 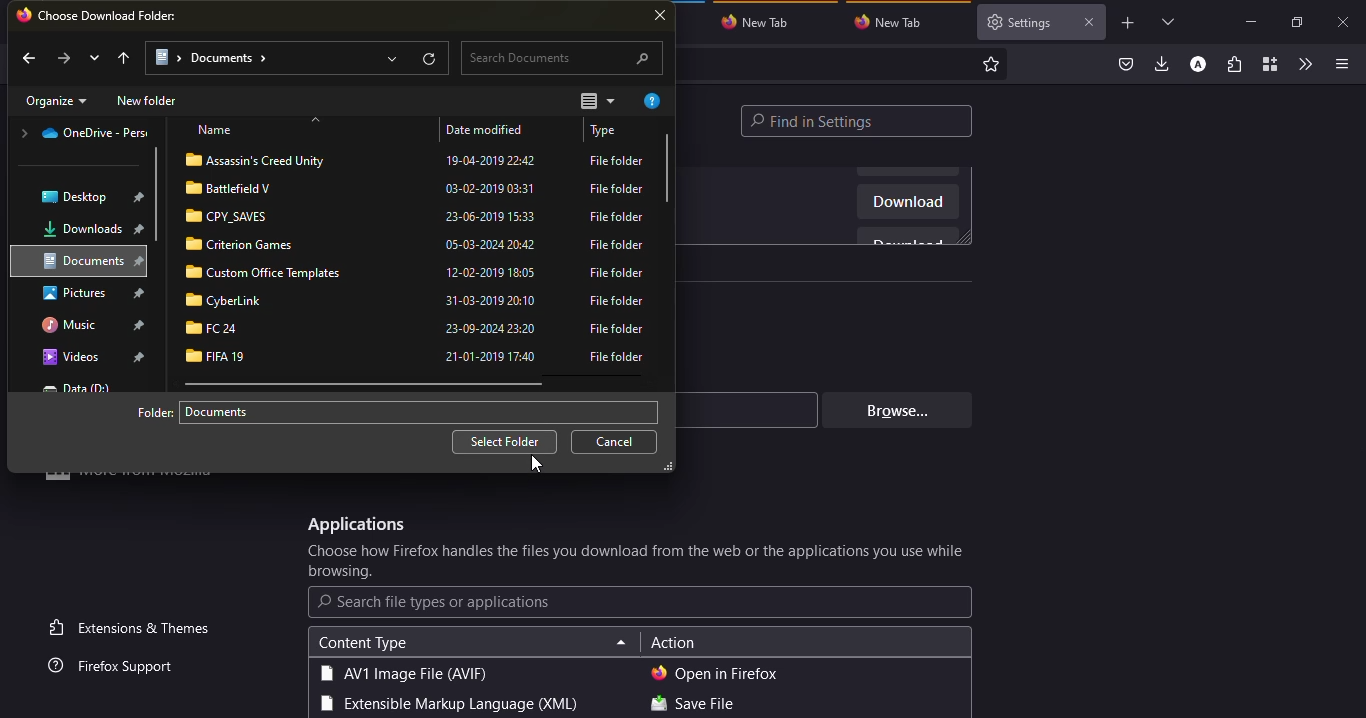 I want to click on action, so click(x=673, y=644).